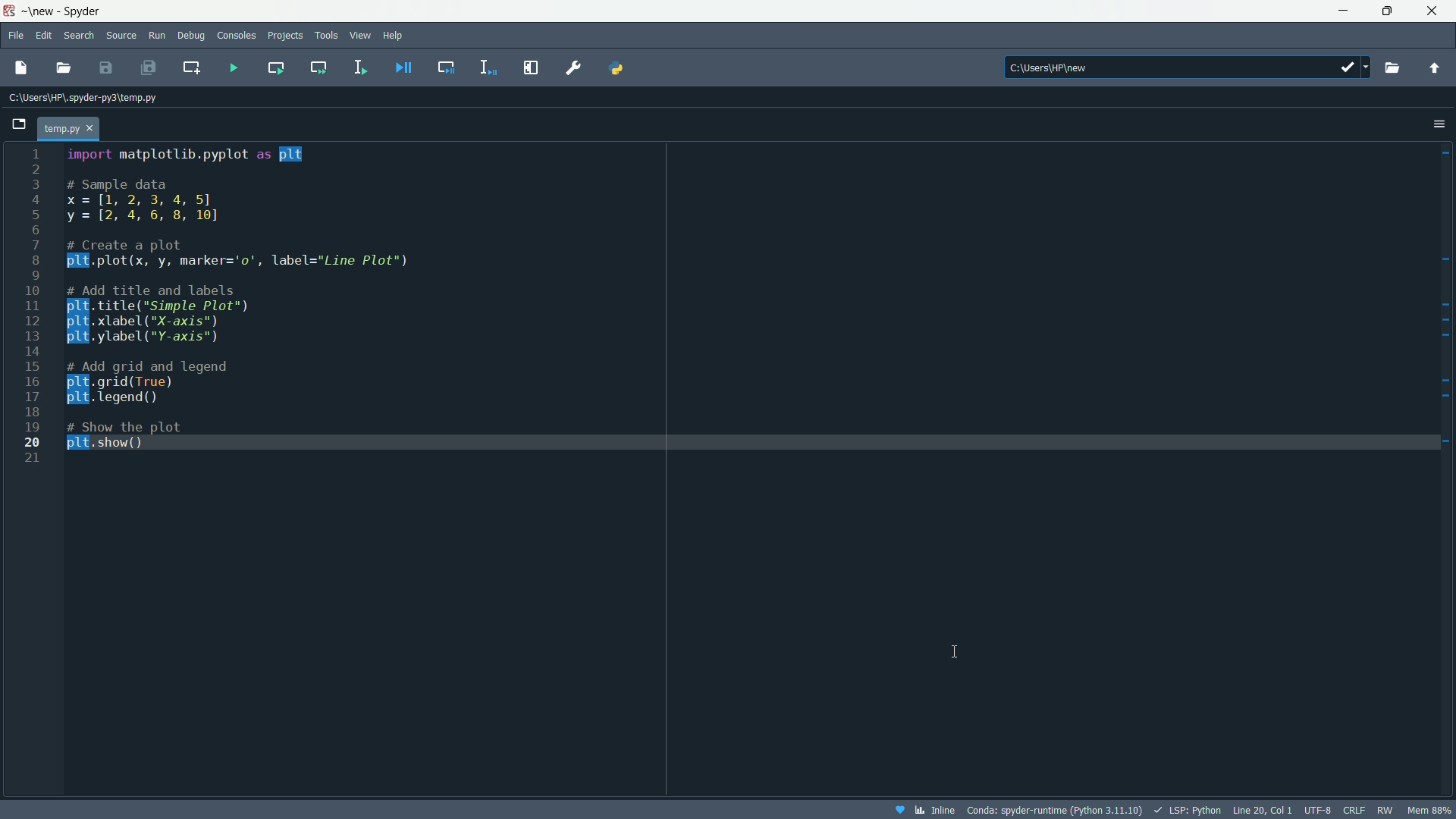 The width and height of the screenshot is (1456, 819). What do you see at coordinates (157, 36) in the screenshot?
I see `run` at bounding box center [157, 36].